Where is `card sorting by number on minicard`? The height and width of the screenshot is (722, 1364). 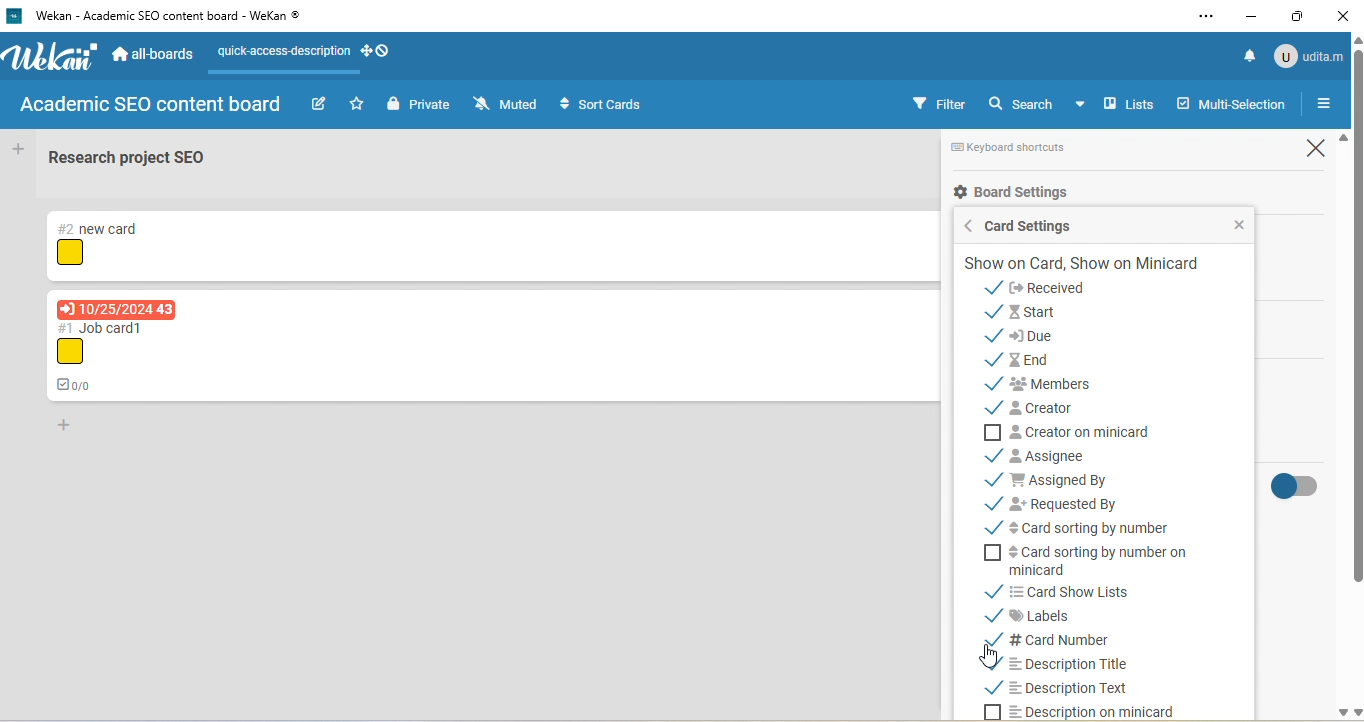 card sorting by number on minicard is located at coordinates (1107, 562).